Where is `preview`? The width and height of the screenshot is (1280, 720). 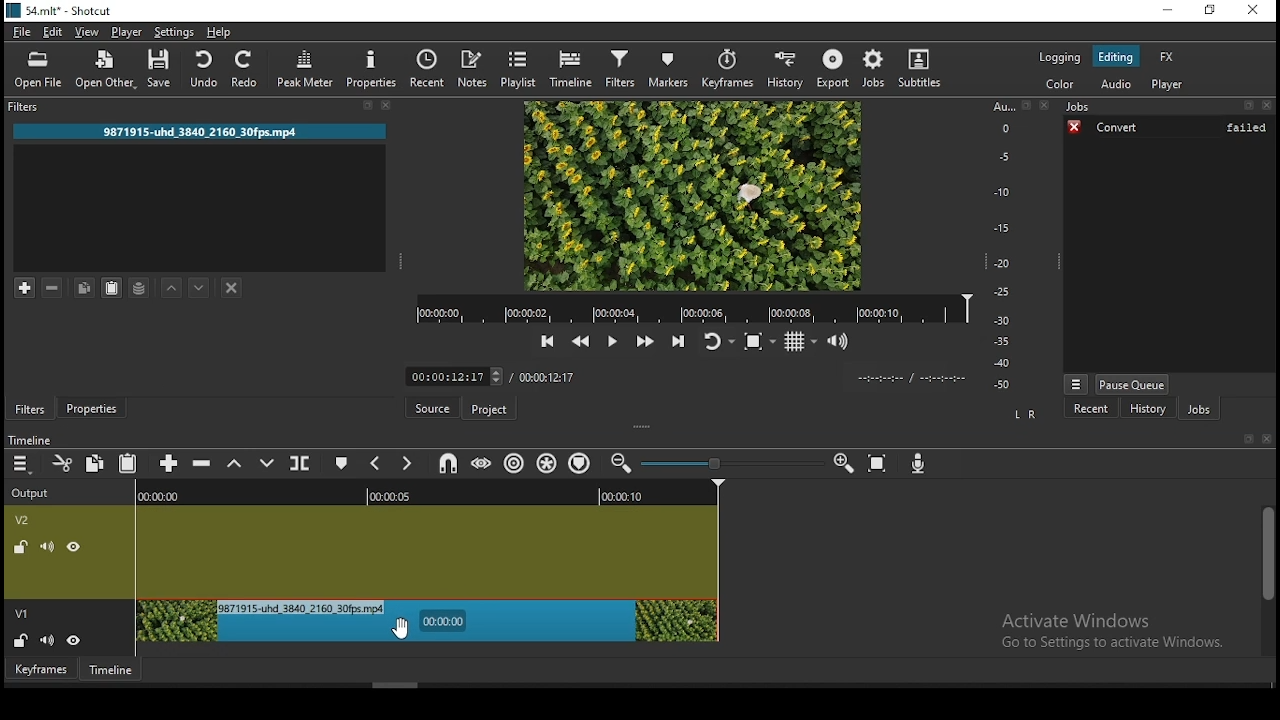
preview is located at coordinates (693, 196).